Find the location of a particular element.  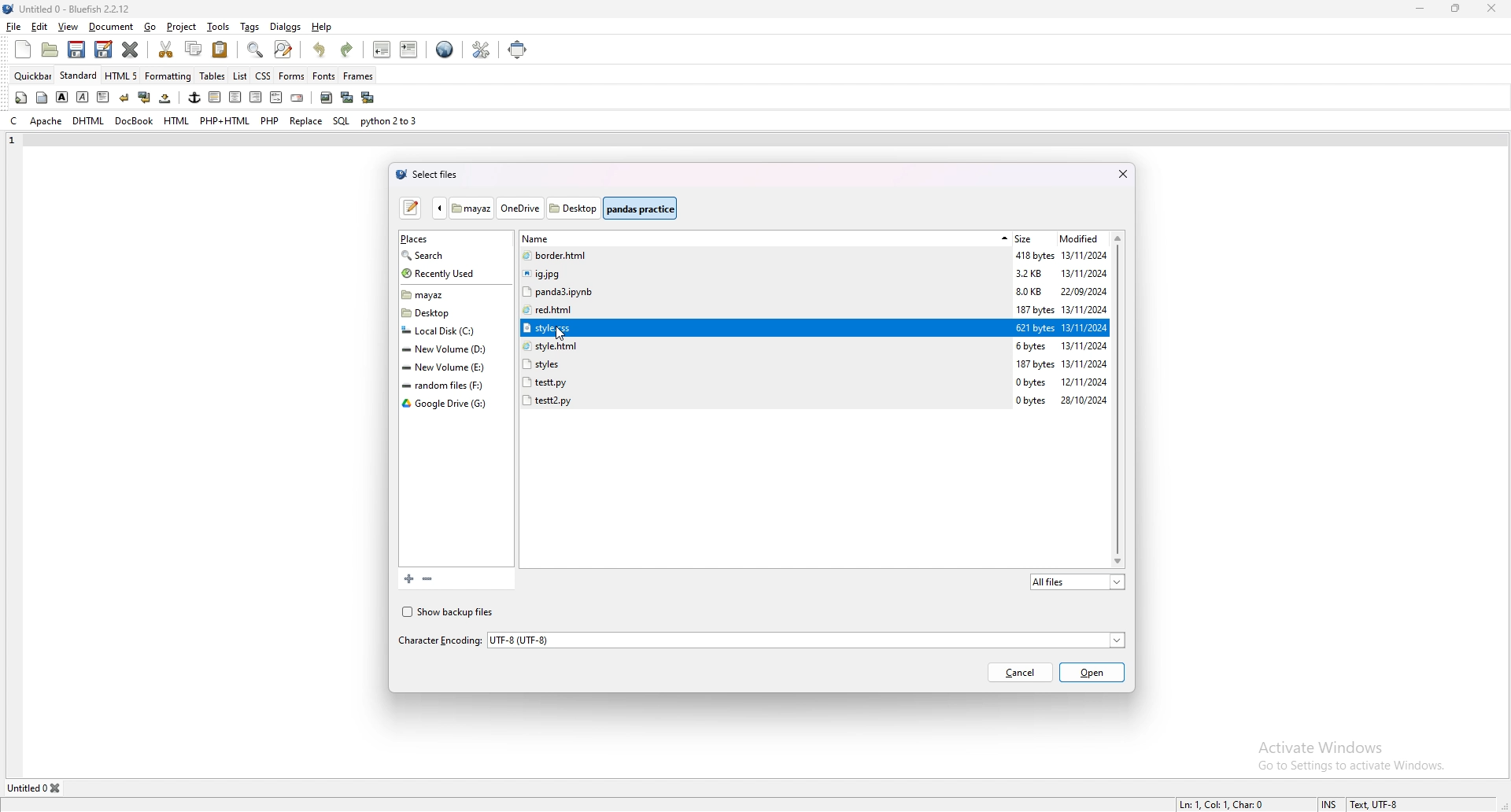

name is located at coordinates (547, 239).